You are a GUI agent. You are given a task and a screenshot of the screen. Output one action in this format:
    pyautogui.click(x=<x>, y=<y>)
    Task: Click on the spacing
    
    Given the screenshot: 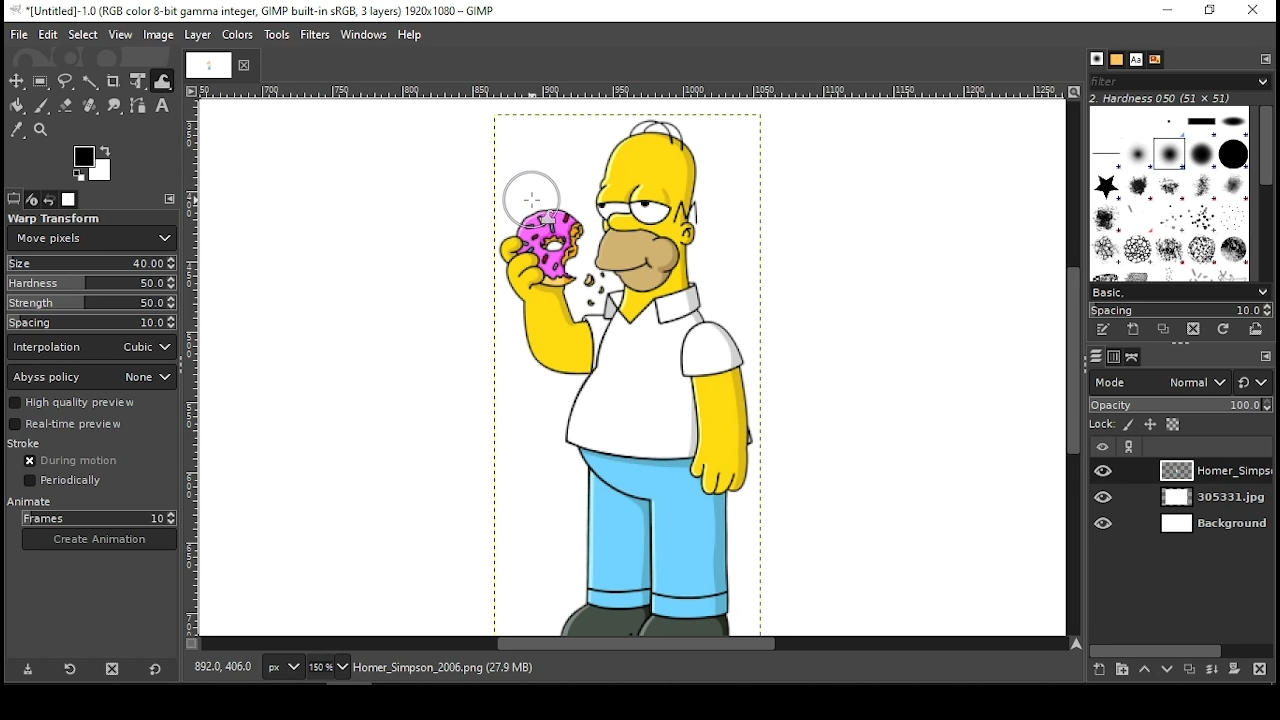 What is the action you would take?
    pyautogui.click(x=1180, y=310)
    